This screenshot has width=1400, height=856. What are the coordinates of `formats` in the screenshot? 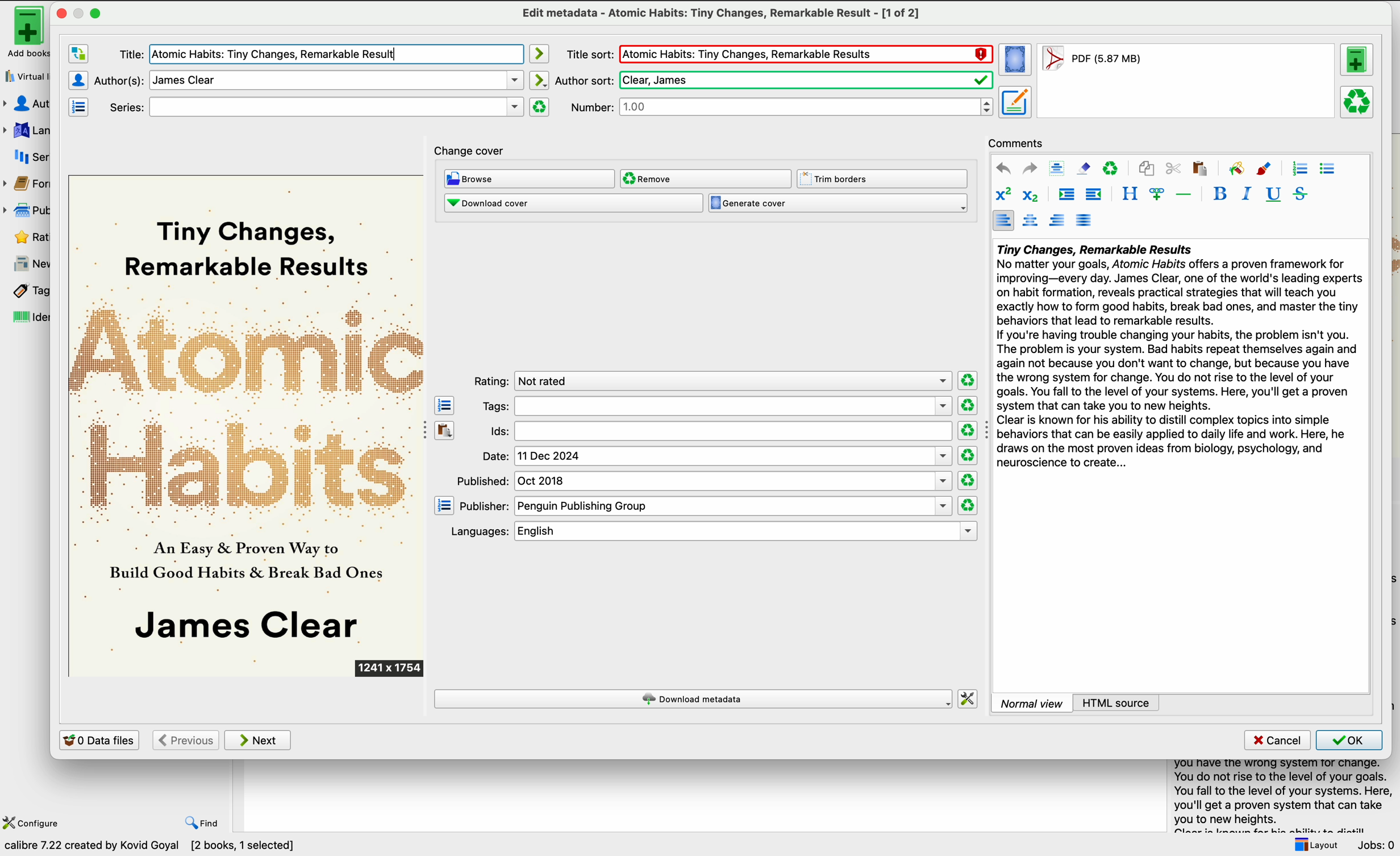 It's located at (28, 186).